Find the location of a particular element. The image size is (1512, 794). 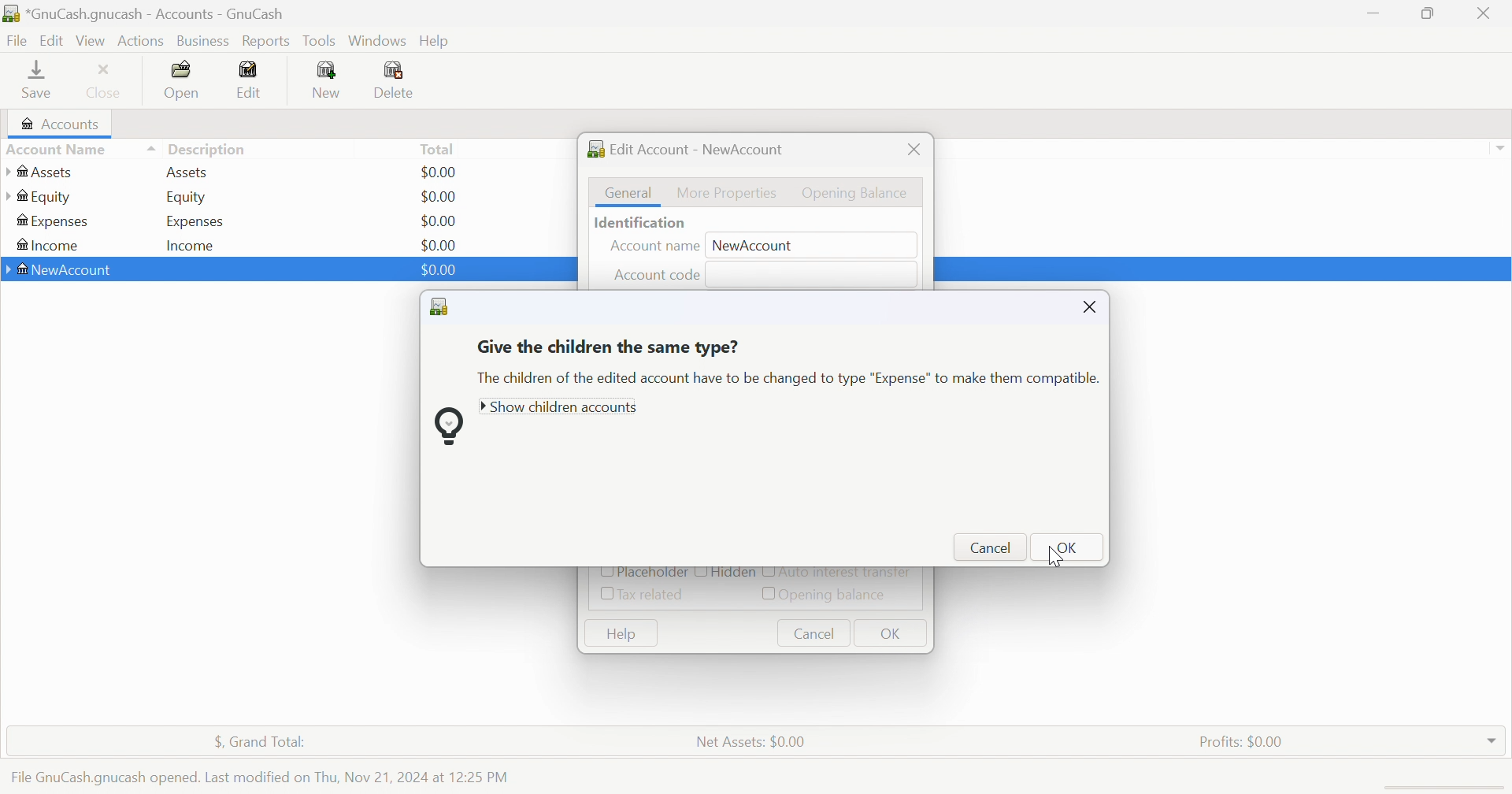

Cancel is located at coordinates (991, 547).